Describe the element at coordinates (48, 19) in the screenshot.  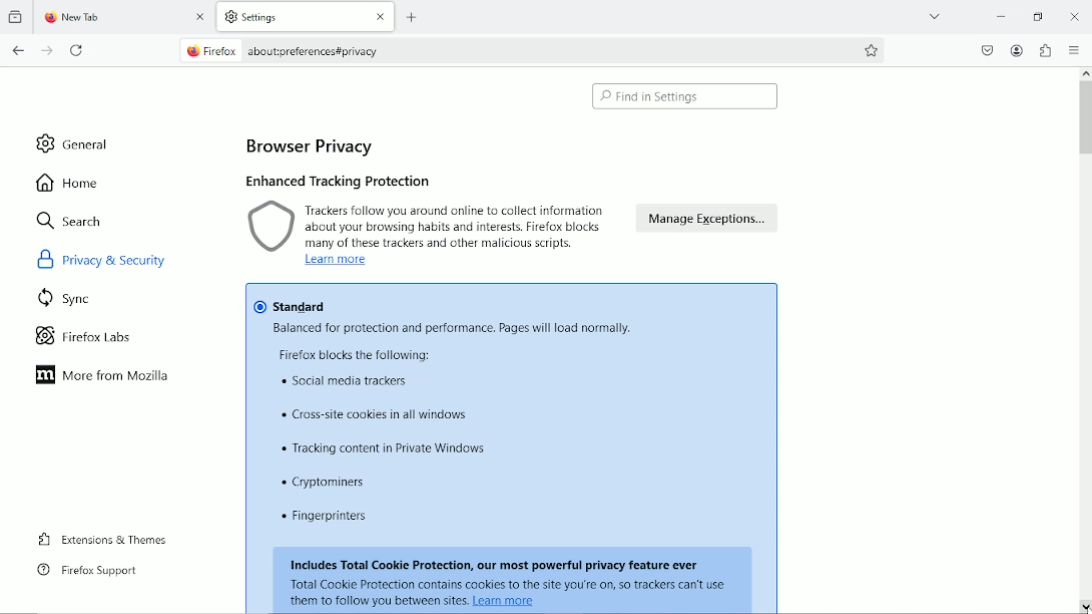
I see `firefox logo` at that location.